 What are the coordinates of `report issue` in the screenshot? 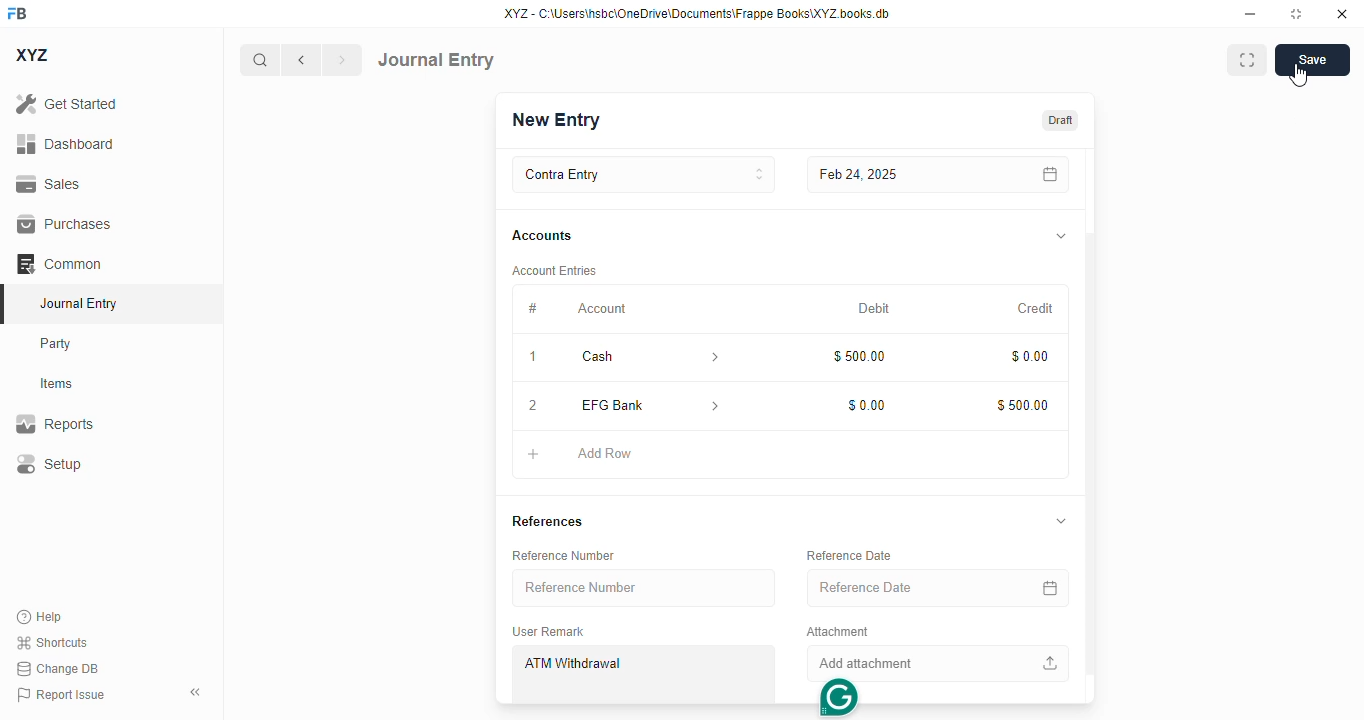 It's located at (61, 694).